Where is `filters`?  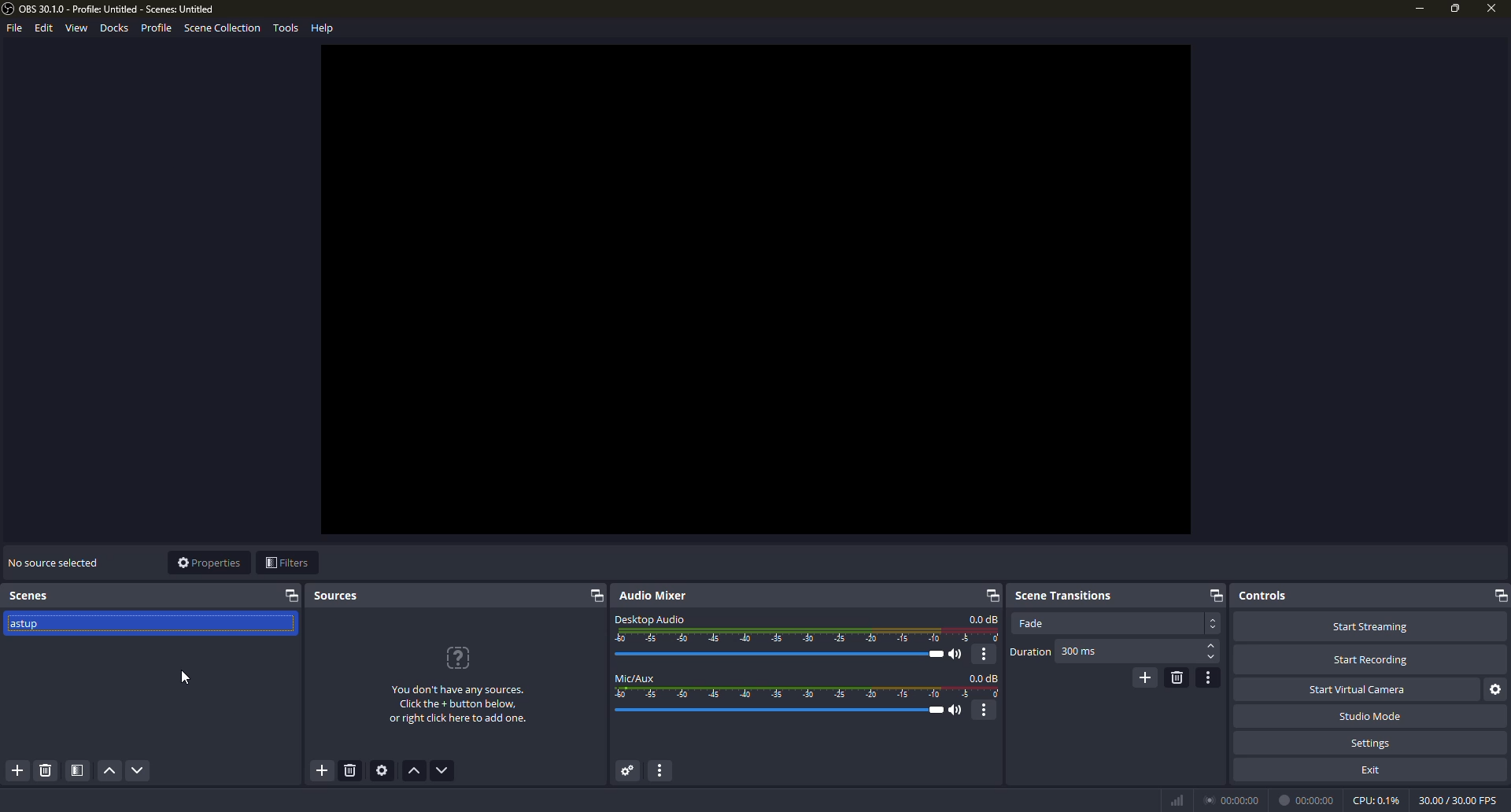 filters is located at coordinates (286, 563).